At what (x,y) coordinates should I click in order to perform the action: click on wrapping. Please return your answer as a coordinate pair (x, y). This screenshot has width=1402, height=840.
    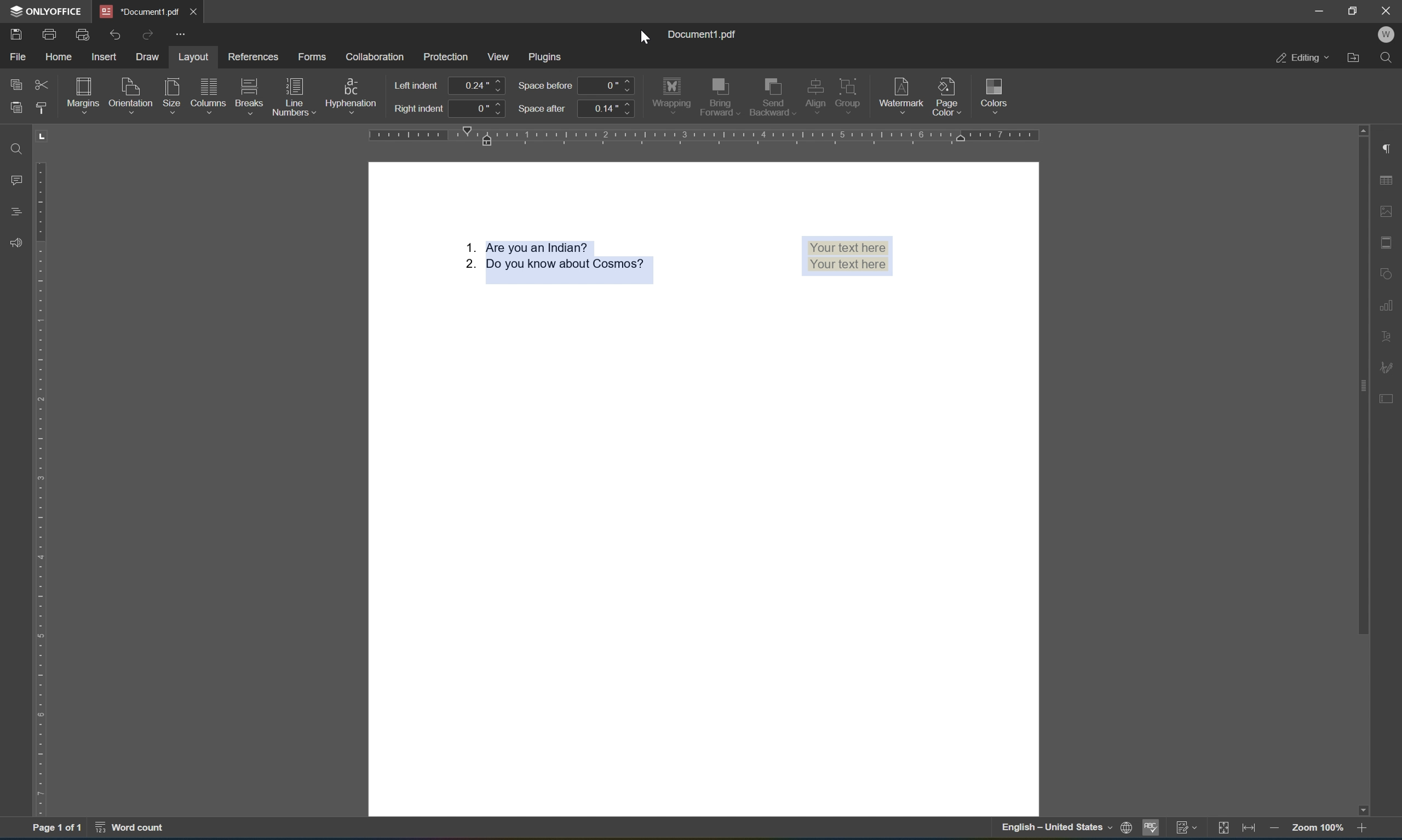
    Looking at the image, I should click on (672, 93).